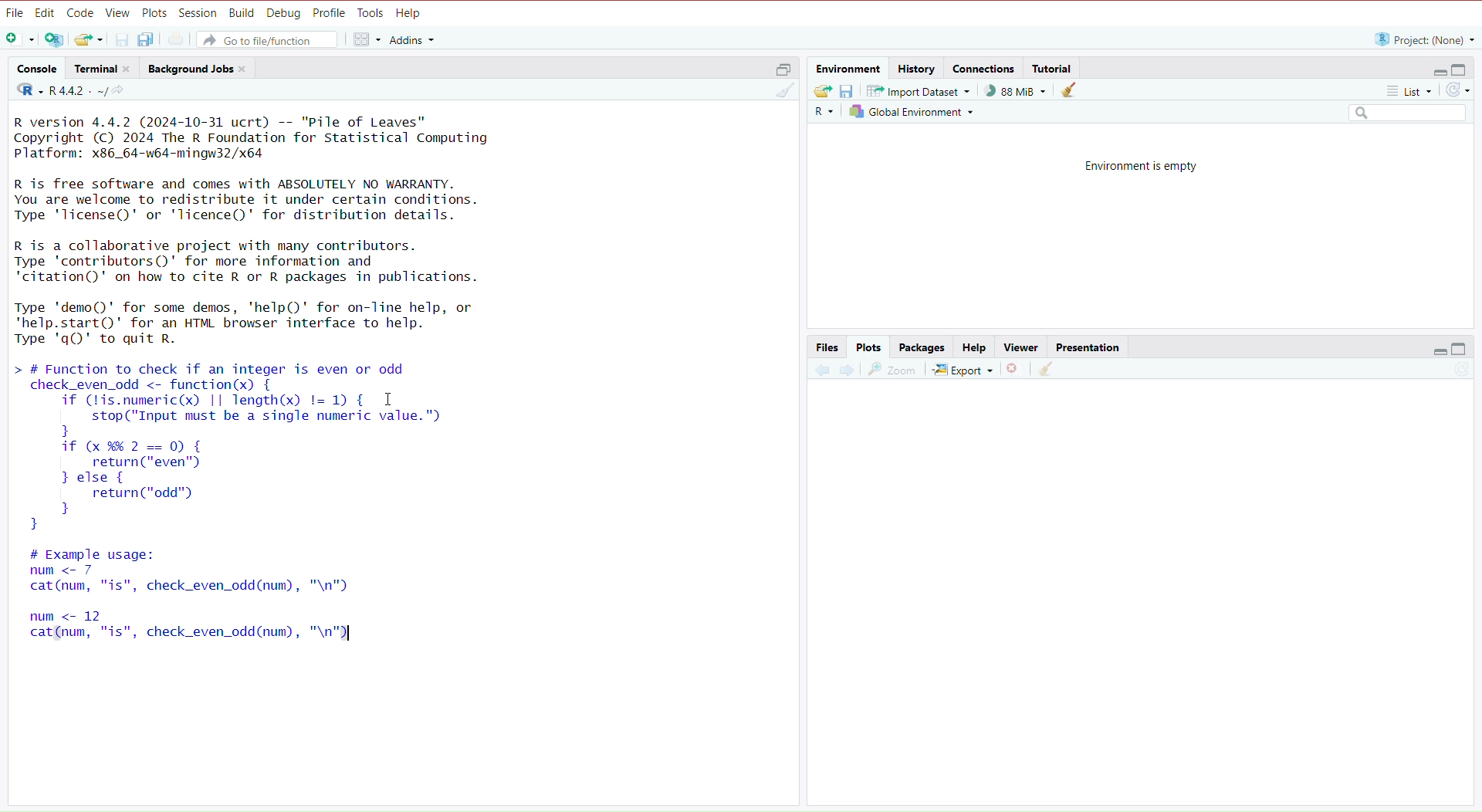  I want to click on addins, so click(413, 39).